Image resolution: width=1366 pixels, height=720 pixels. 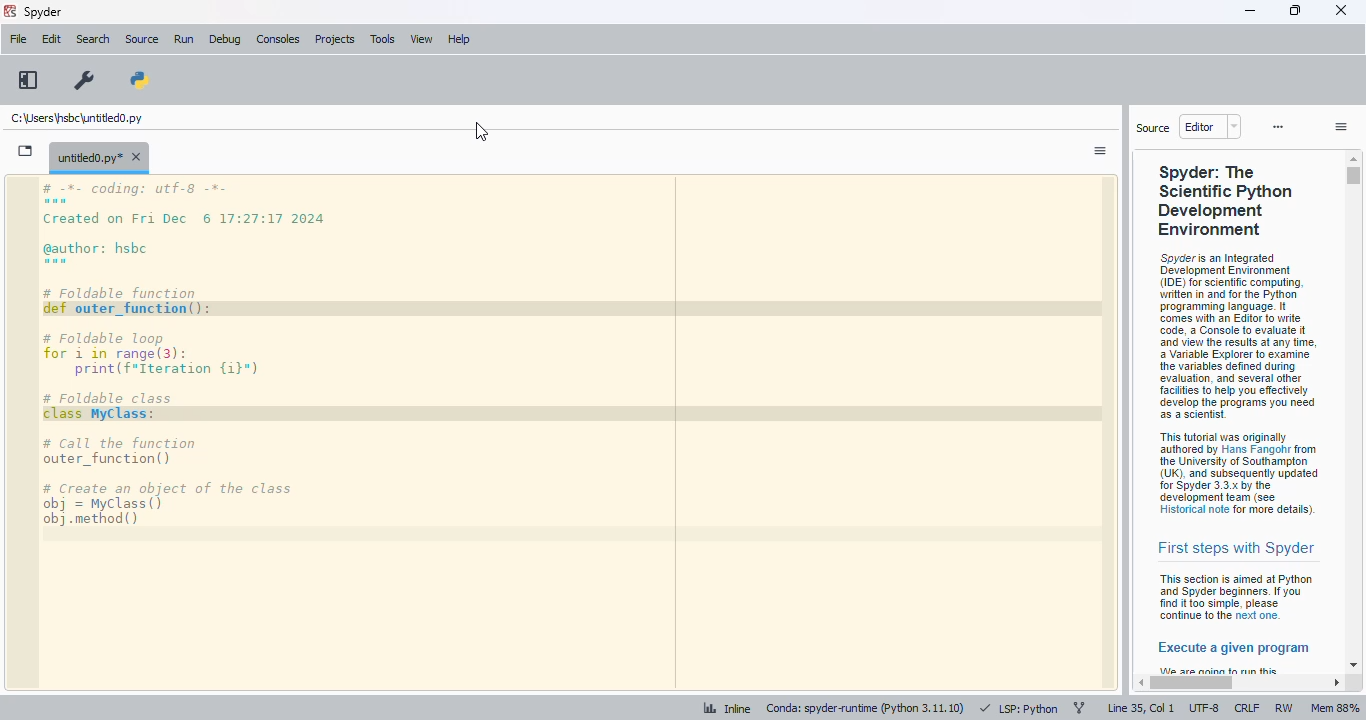 I want to click on file, so click(x=18, y=38).